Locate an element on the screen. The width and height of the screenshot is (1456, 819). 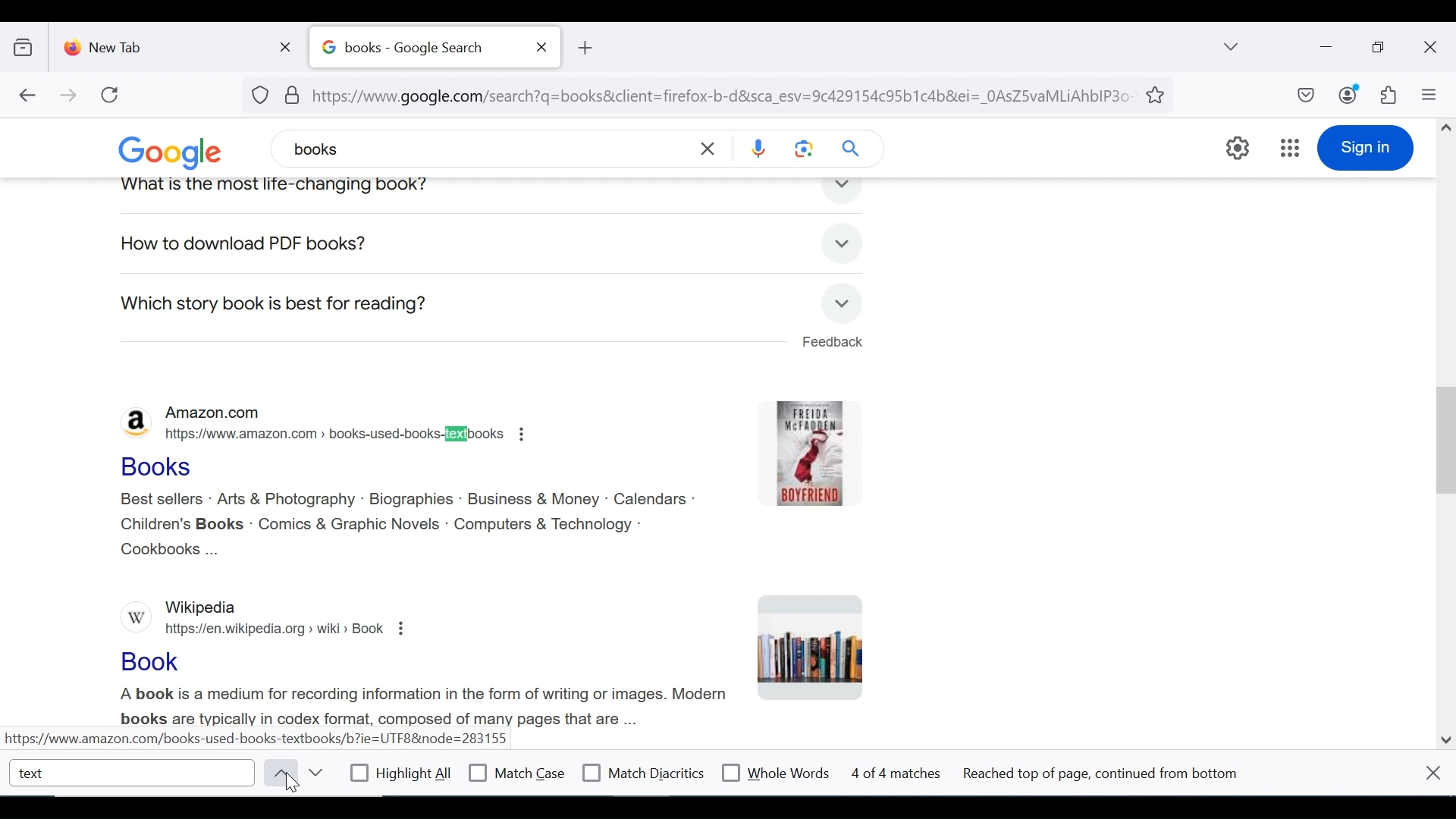
books is located at coordinates (166, 464).